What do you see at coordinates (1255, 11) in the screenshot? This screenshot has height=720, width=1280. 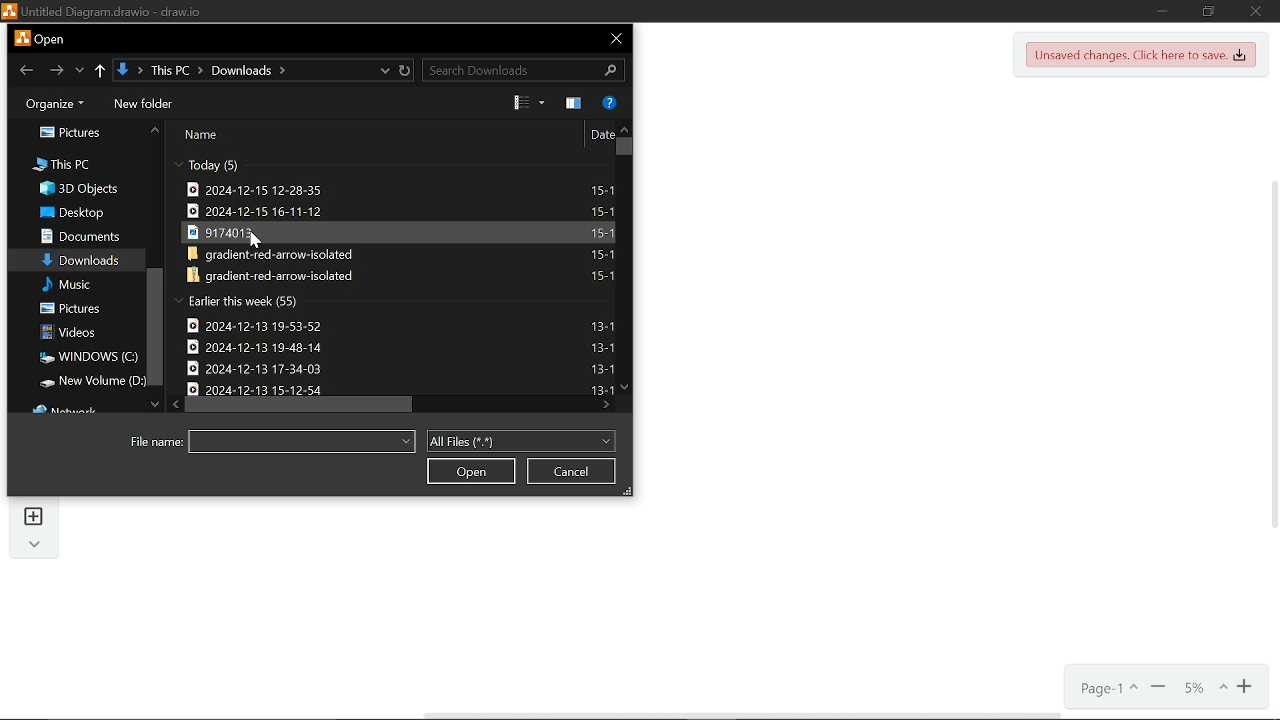 I see `CLose` at bounding box center [1255, 11].